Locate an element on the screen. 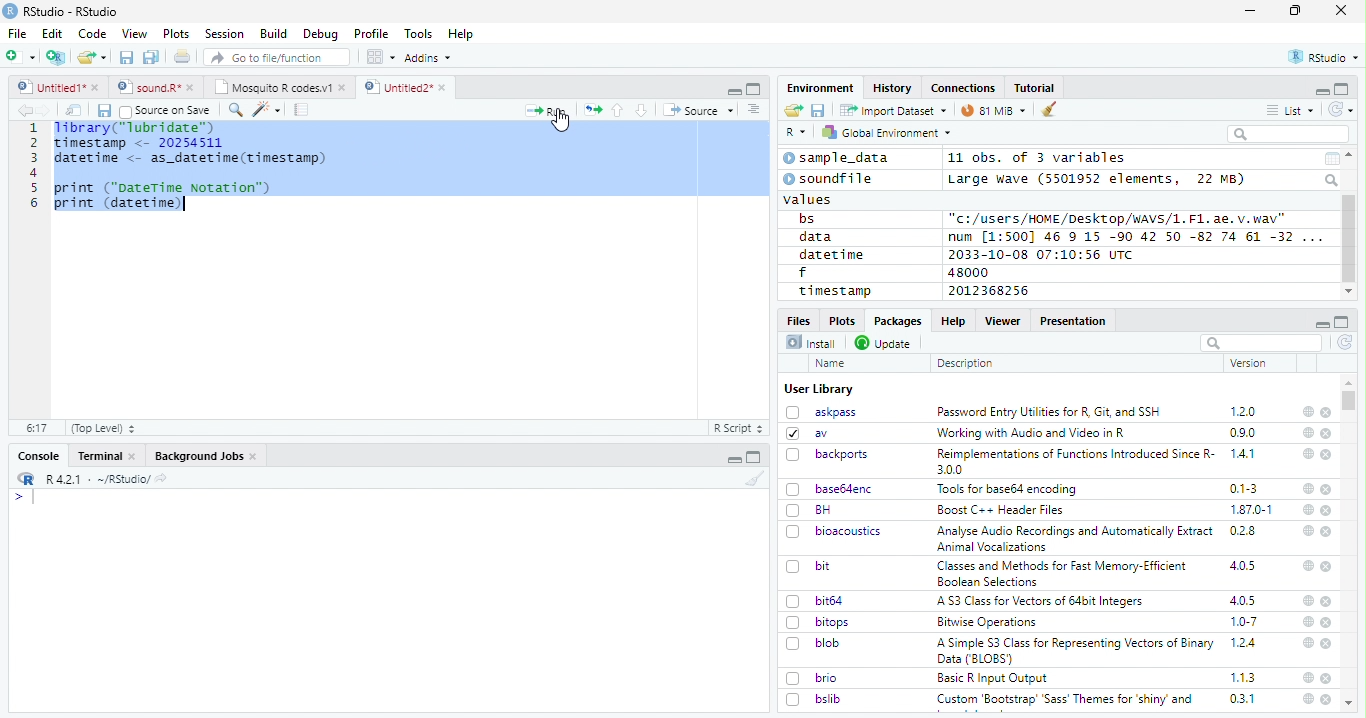 This screenshot has height=718, width=1366. bitops is located at coordinates (819, 622).